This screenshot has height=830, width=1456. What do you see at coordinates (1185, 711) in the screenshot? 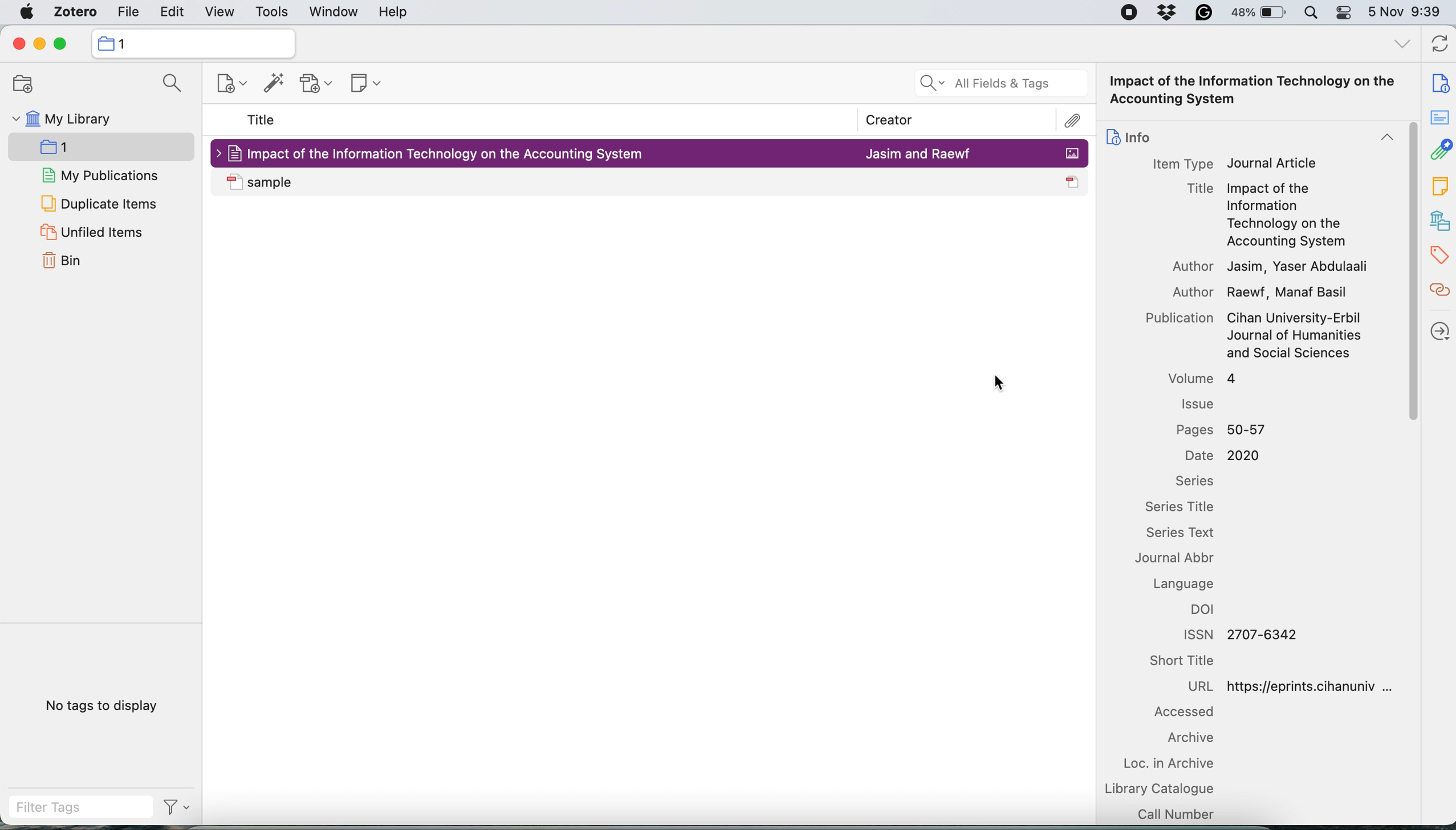
I see `accessed` at bounding box center [1185, 711].